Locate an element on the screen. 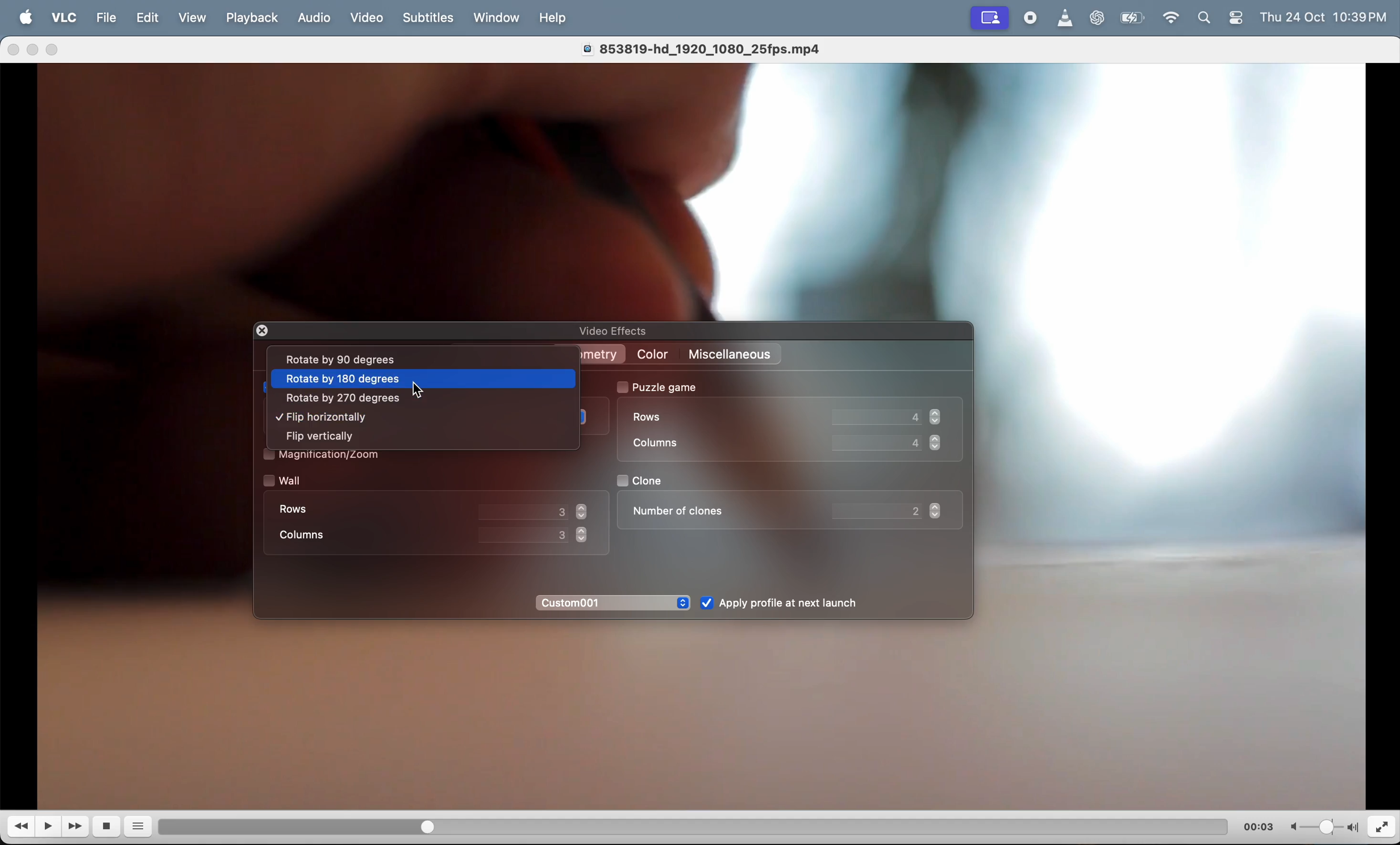 The height and width of the screenshot is (845, 1400). miscellaneos is located at coordinates (734, 355).